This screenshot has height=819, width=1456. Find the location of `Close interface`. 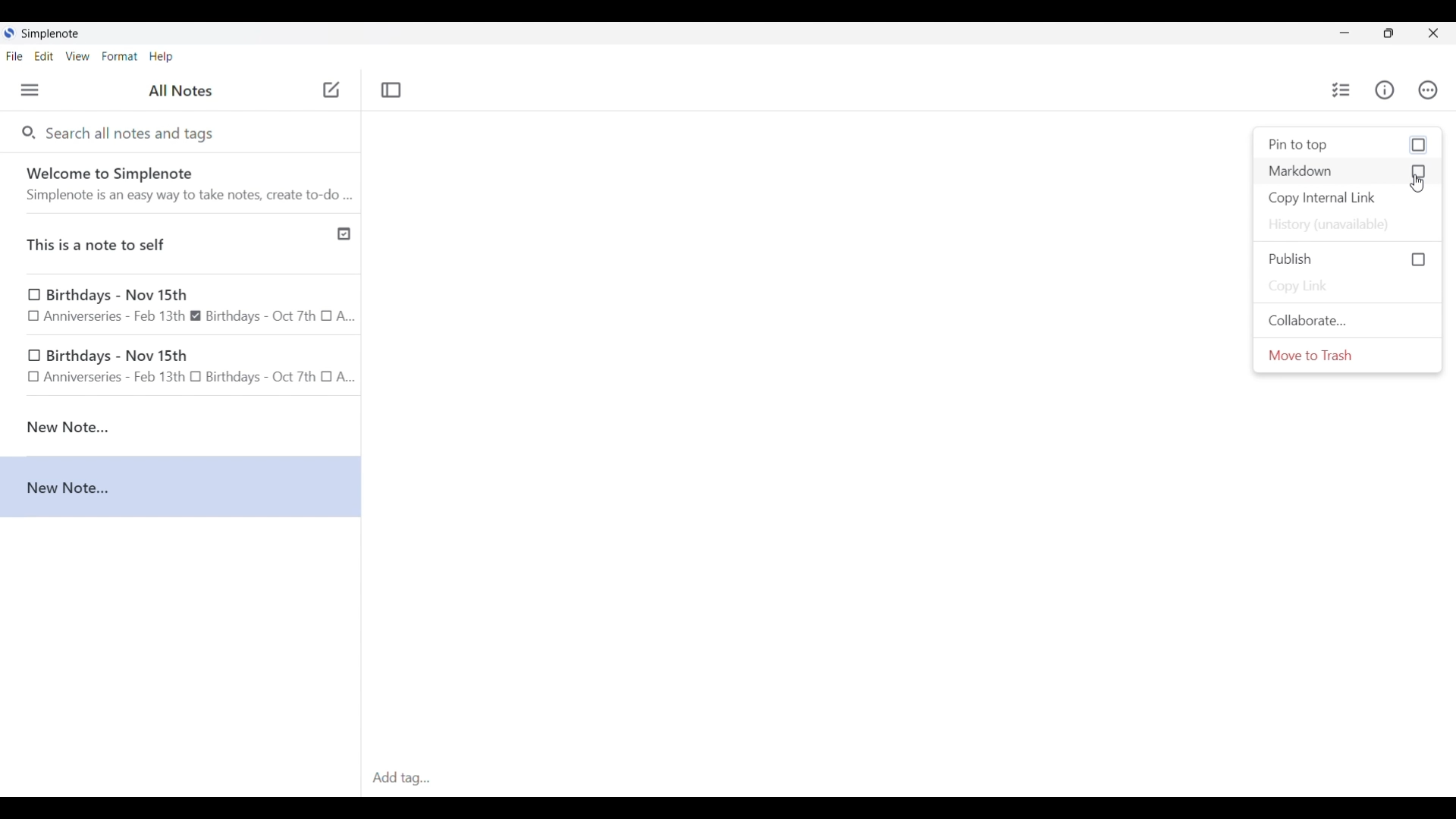

Close interface is located at coordinates (1433, 33).